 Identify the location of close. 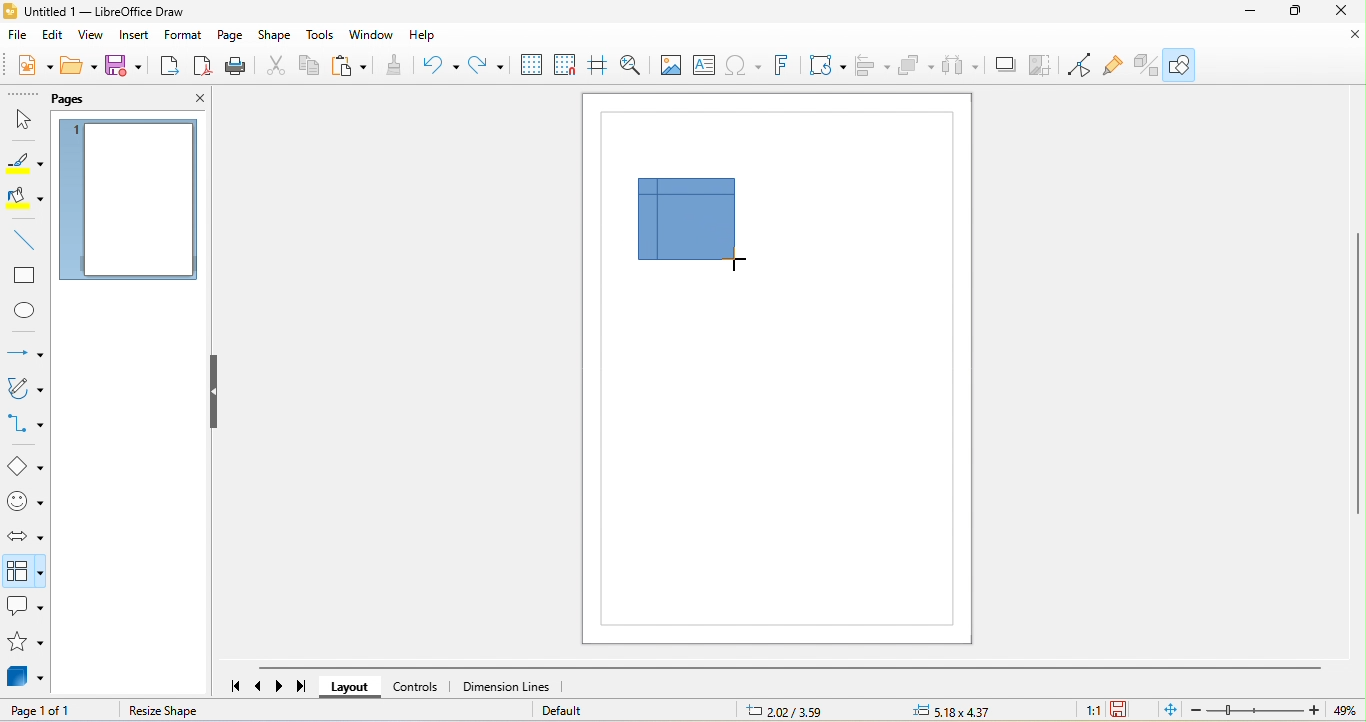
(187, 100).